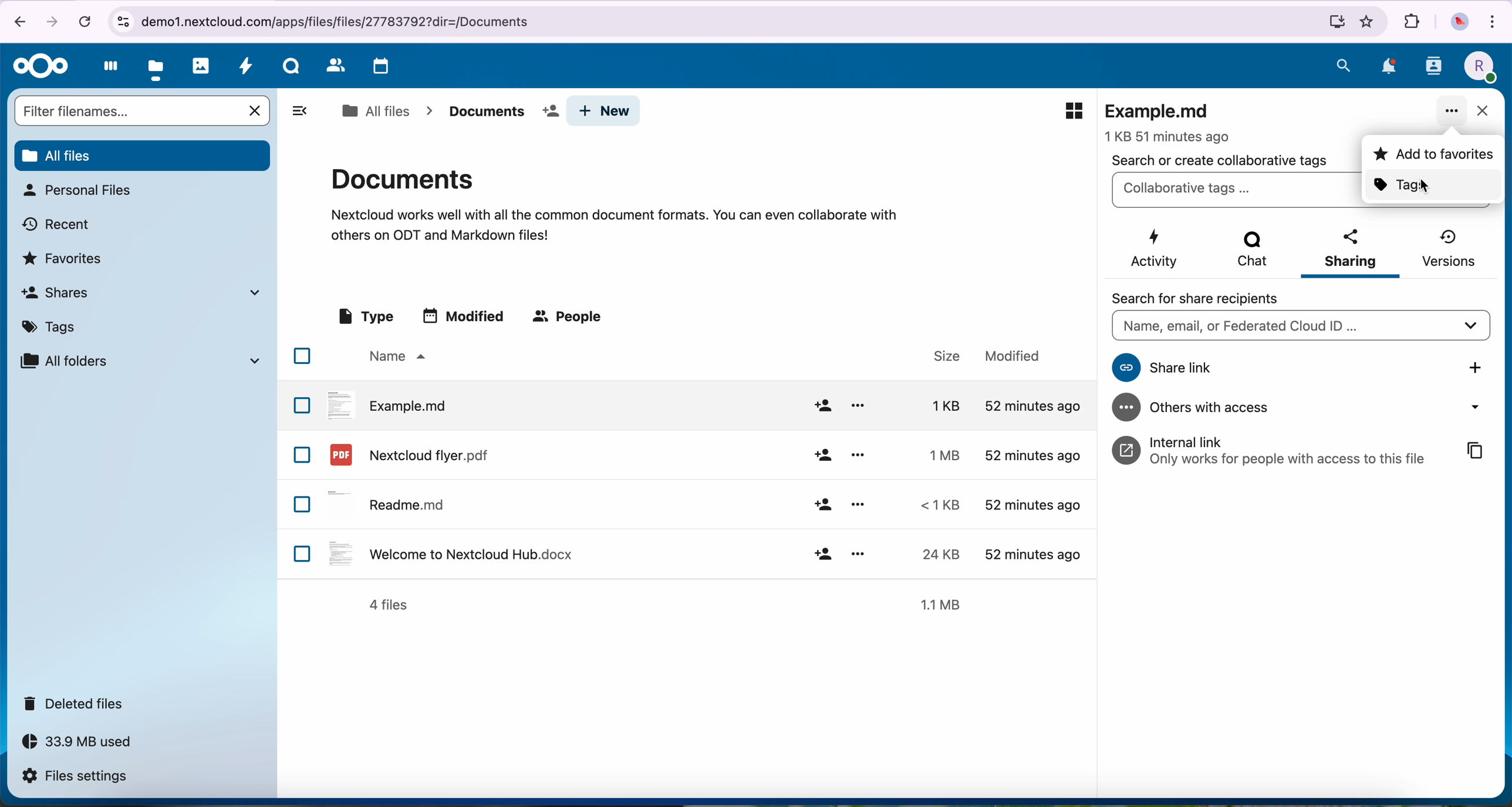  Describe the element at coordinates (858, 454) in the screenshot. I see `options` at that location.